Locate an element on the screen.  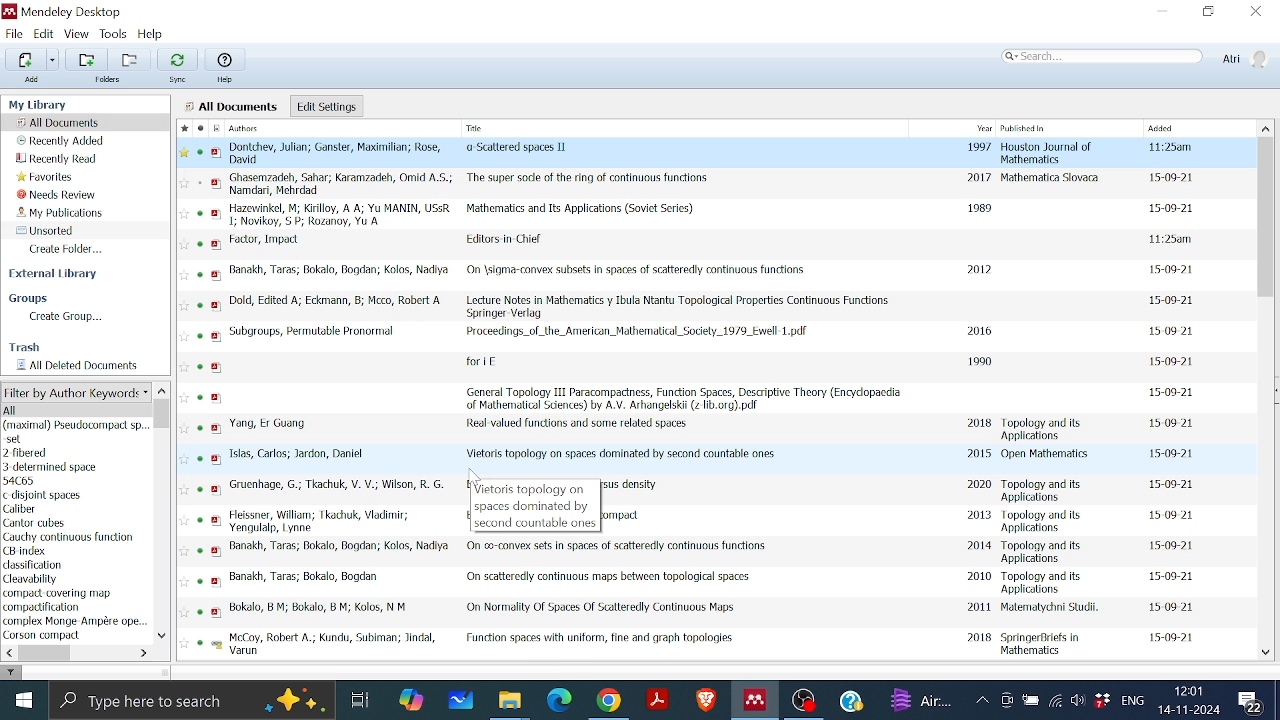
keyword is located at coordinates (34, 566).